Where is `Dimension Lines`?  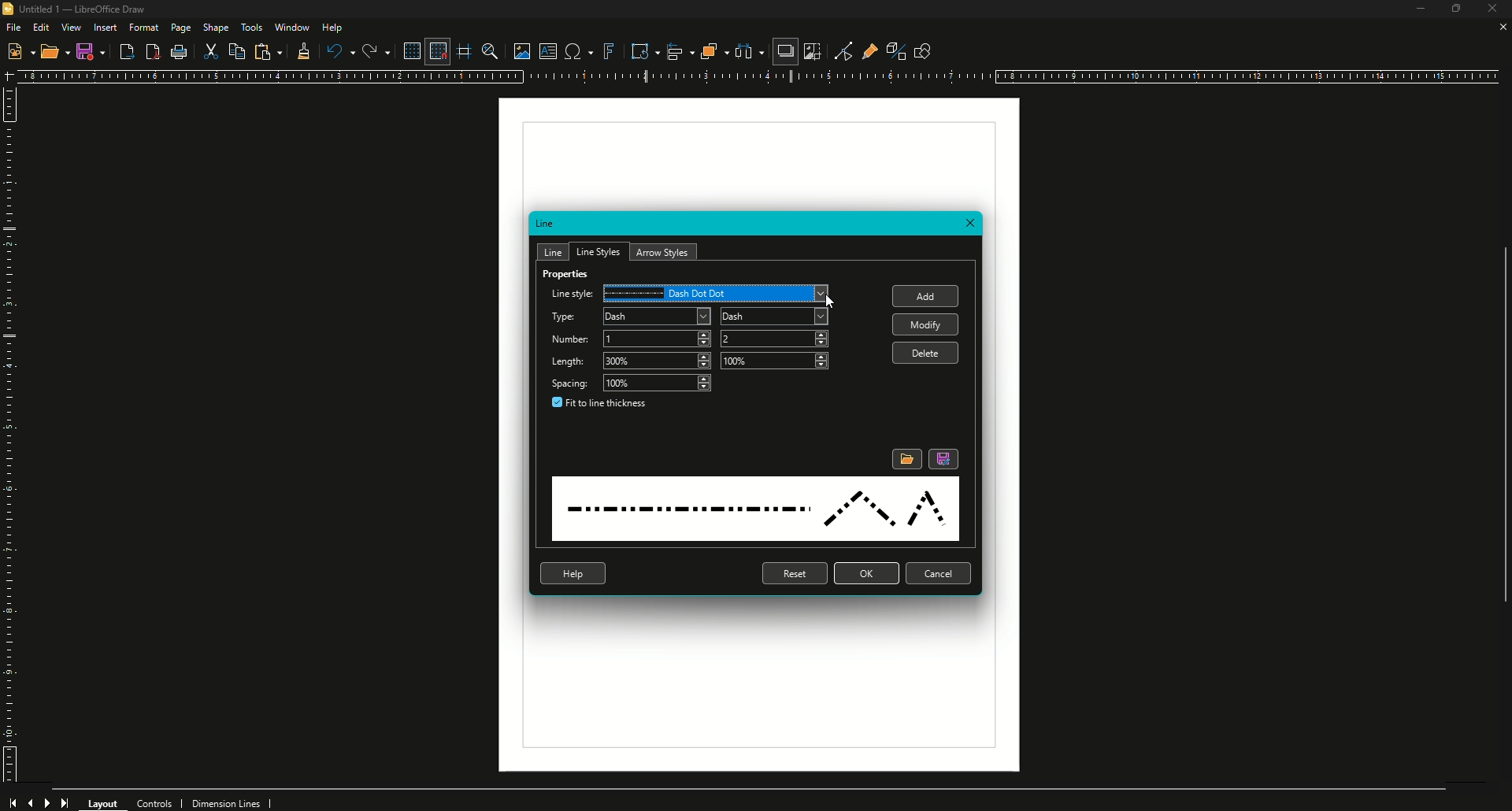
Dimension Lines is located at coordinates (232, 802).